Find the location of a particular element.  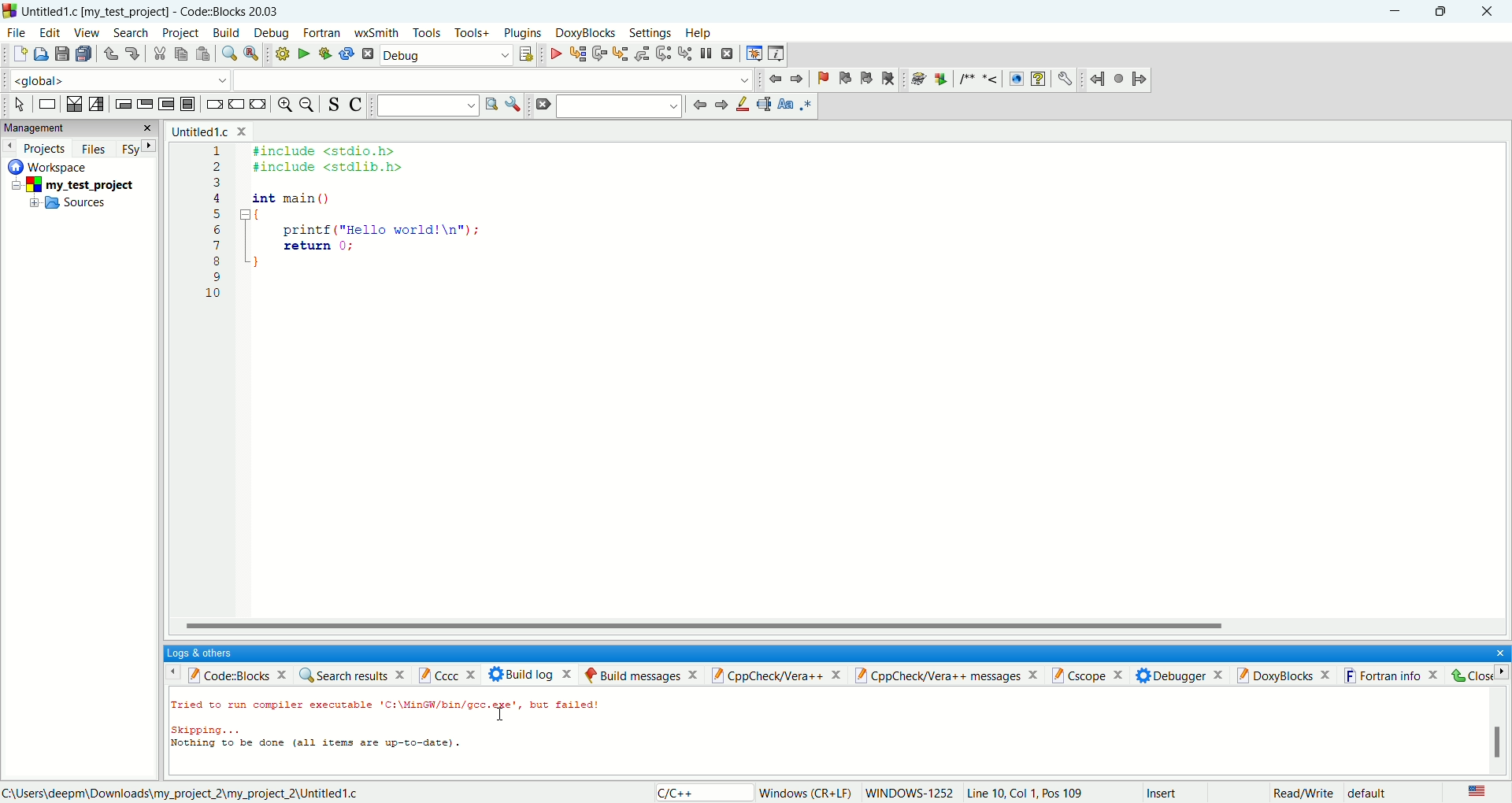

close is located at coordinates (1495, 651).